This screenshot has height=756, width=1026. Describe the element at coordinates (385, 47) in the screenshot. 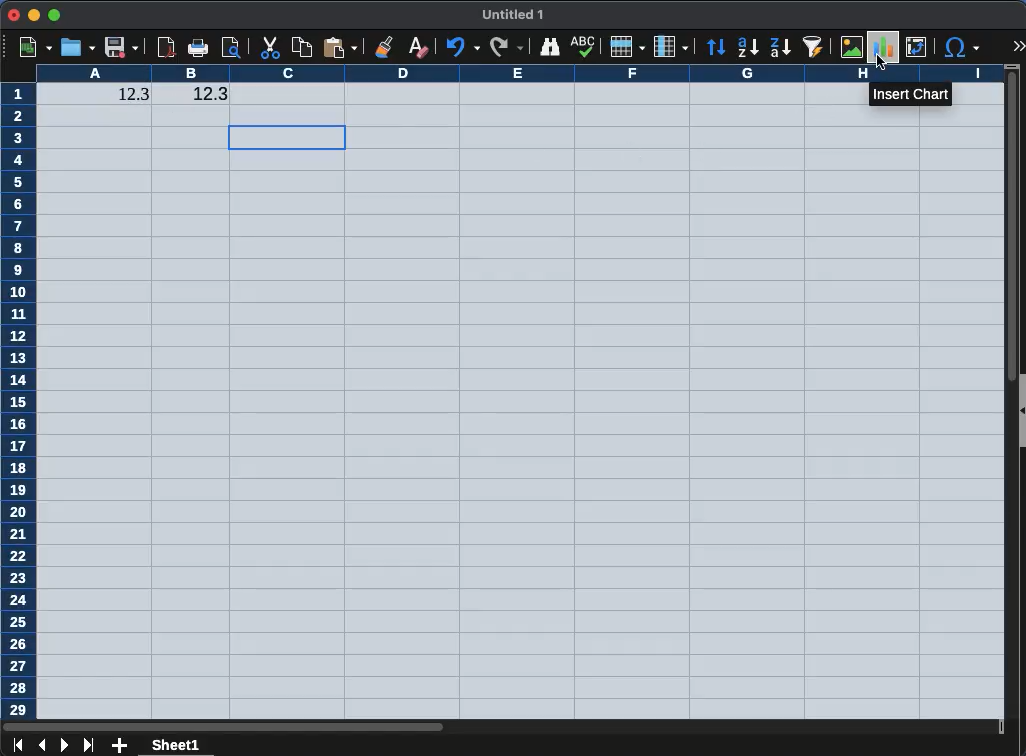

I see `clone formatting` at that location.